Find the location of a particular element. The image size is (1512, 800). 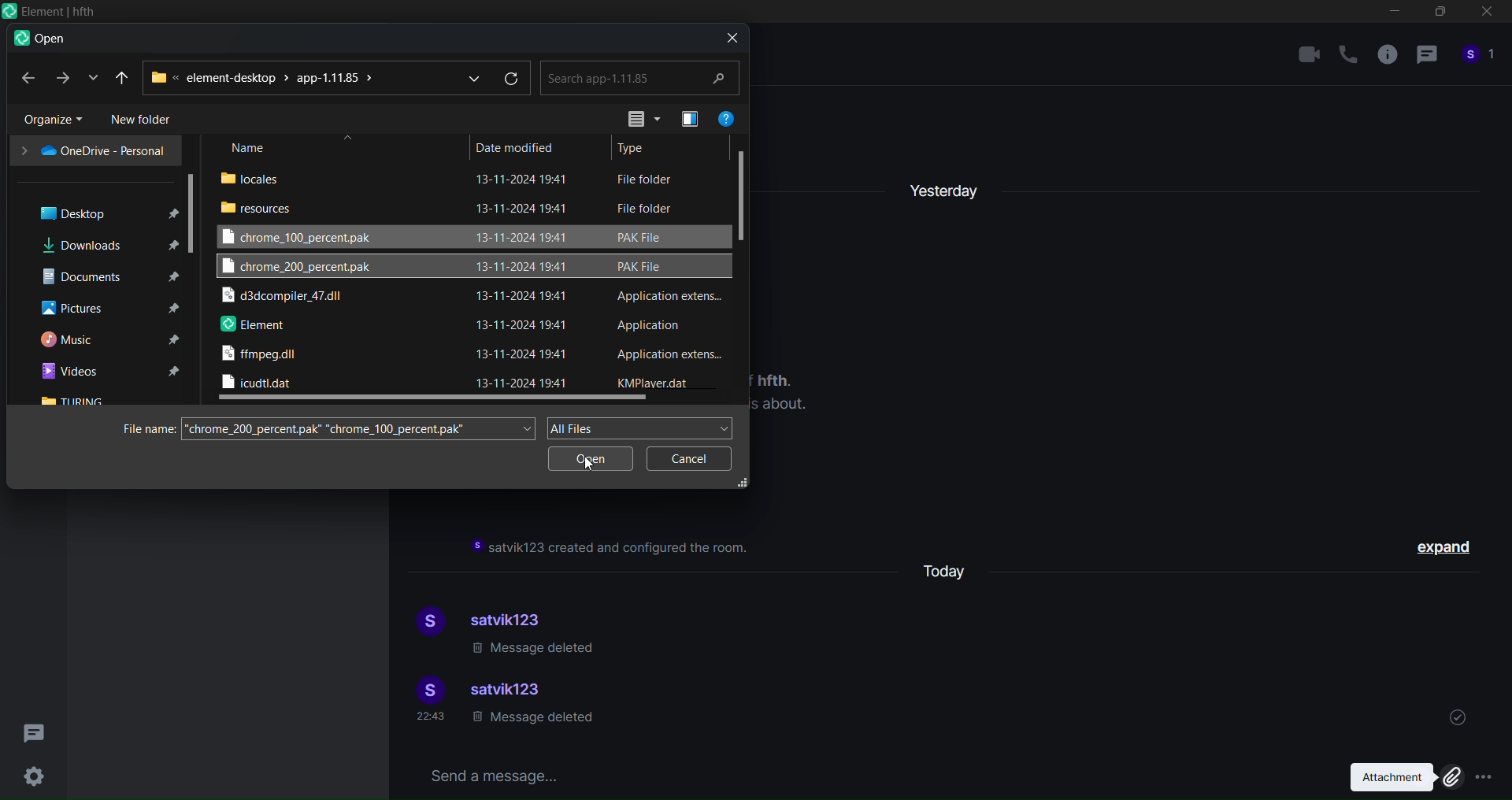

view is located at coordinates (636, 118).